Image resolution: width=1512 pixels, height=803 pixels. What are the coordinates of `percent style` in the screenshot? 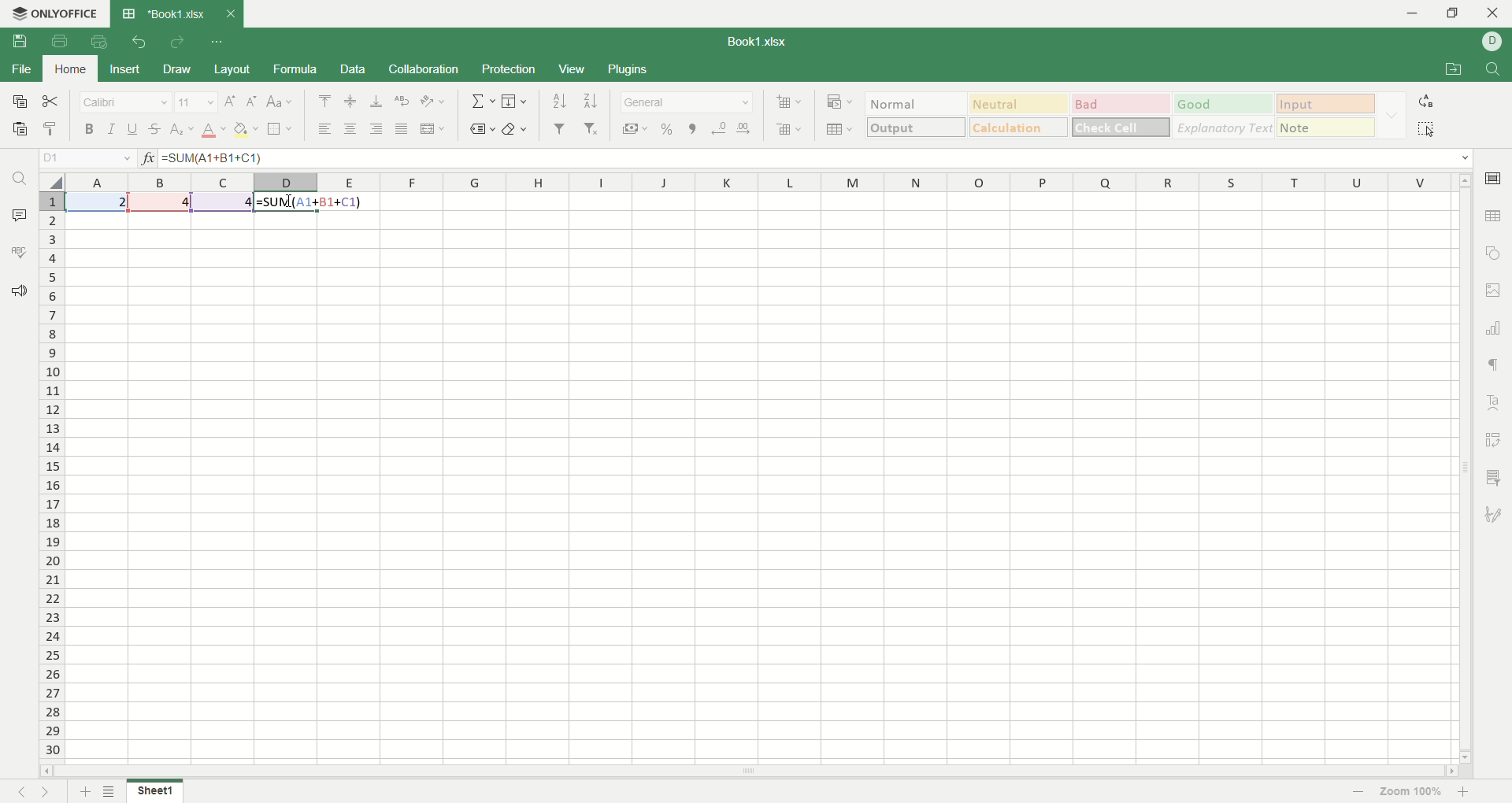 It's located at (669, 128).